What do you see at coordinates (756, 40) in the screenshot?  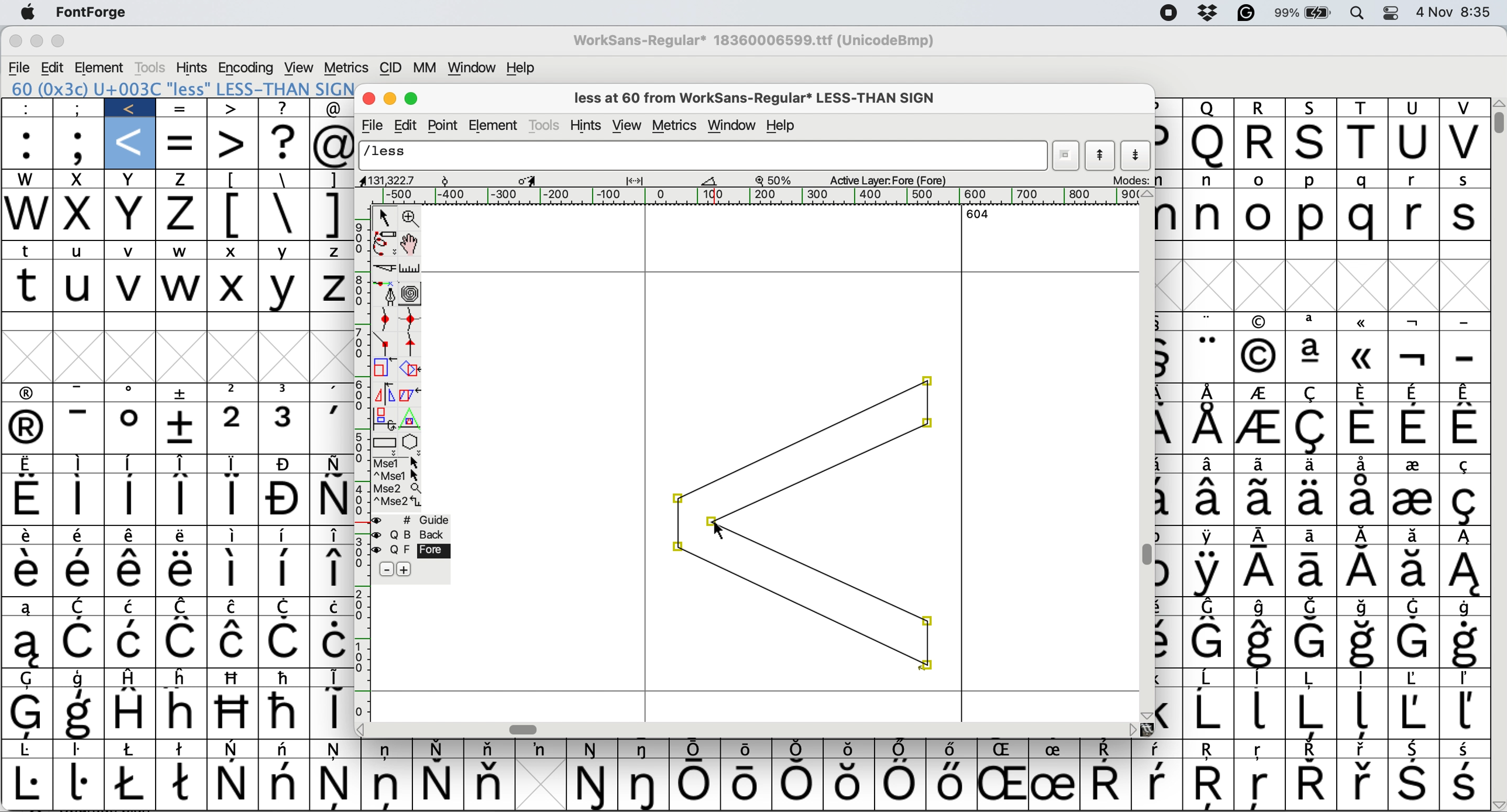 I see `WorkSans-Regular* 18360006599.ttf (UnicodeBmp)` at bounding box center [756, 40].